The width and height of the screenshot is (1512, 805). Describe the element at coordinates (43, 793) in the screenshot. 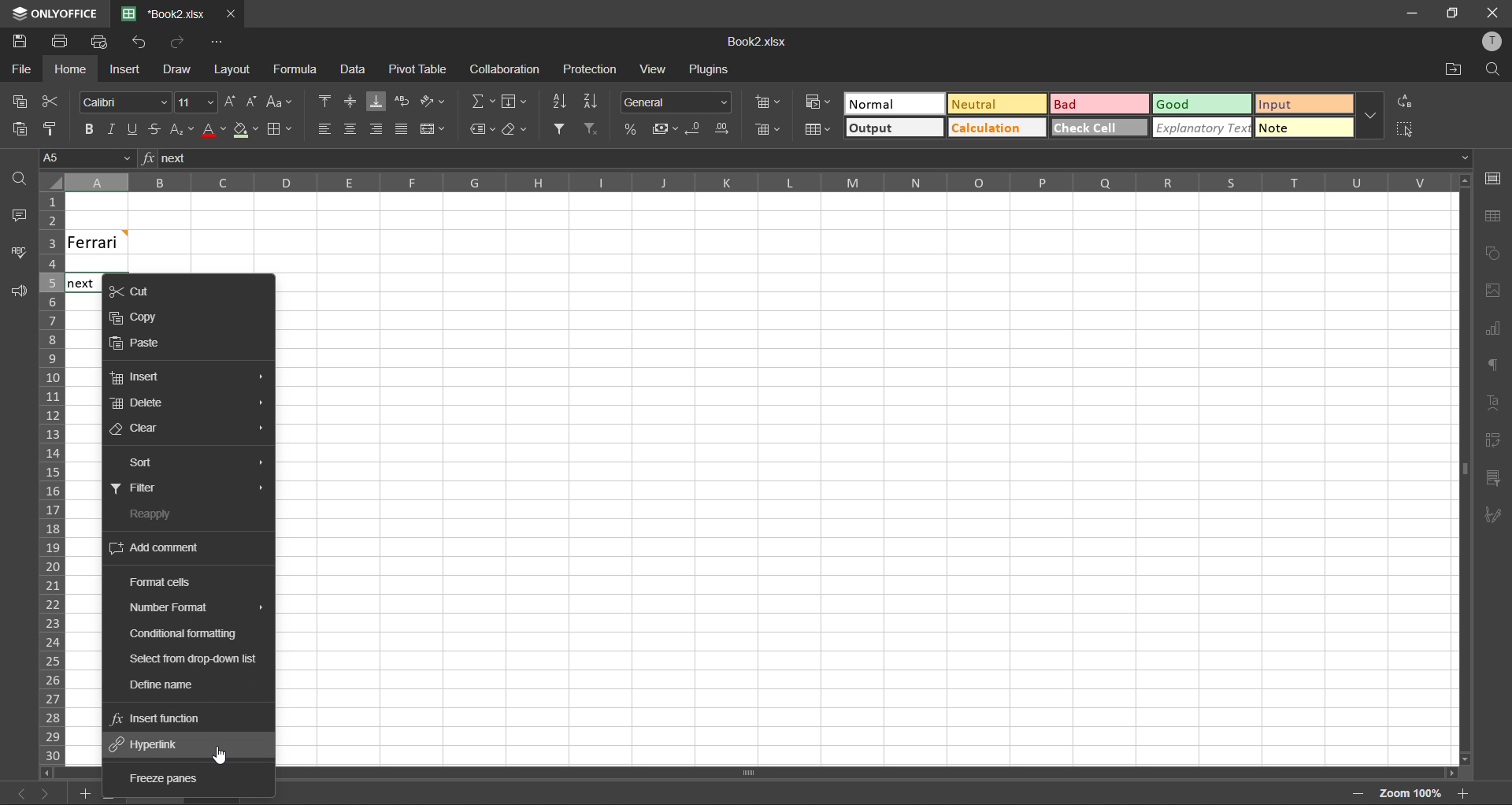

I see `next` at that location.